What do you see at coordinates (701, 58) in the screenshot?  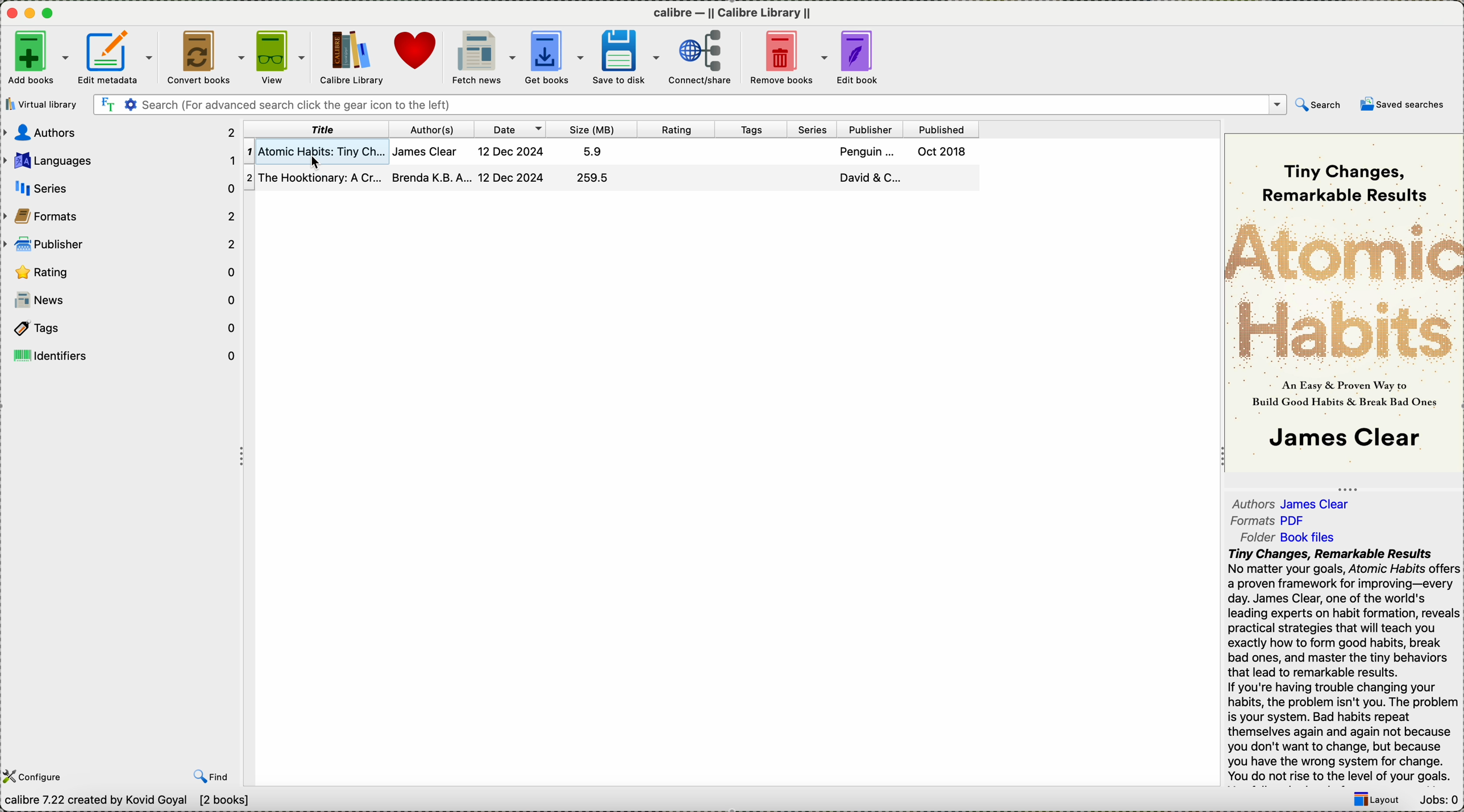 I see `connect/share` at bounding box center [701, 58].